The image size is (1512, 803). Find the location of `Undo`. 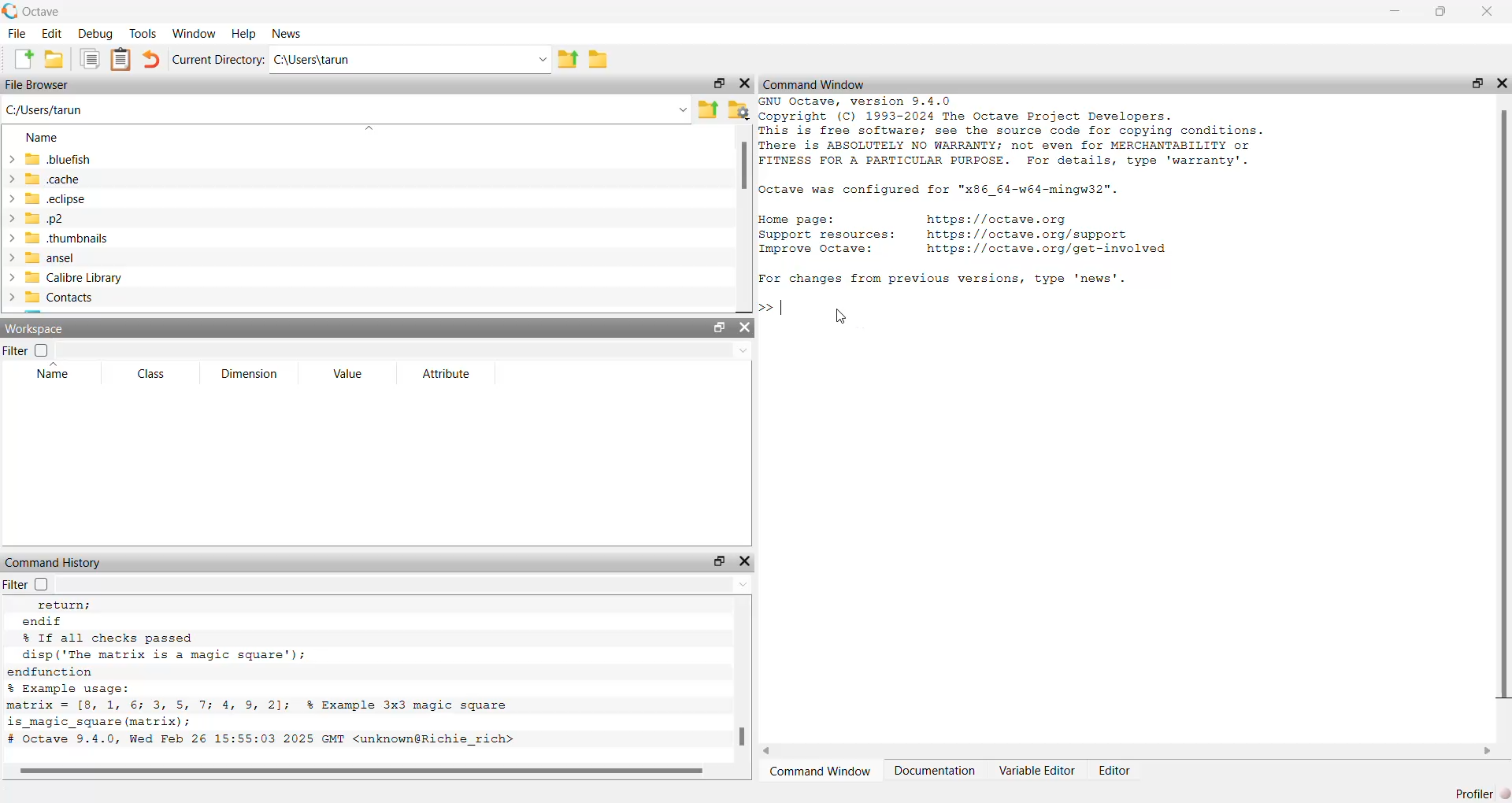

Undo is located at coordinates (150, 59).